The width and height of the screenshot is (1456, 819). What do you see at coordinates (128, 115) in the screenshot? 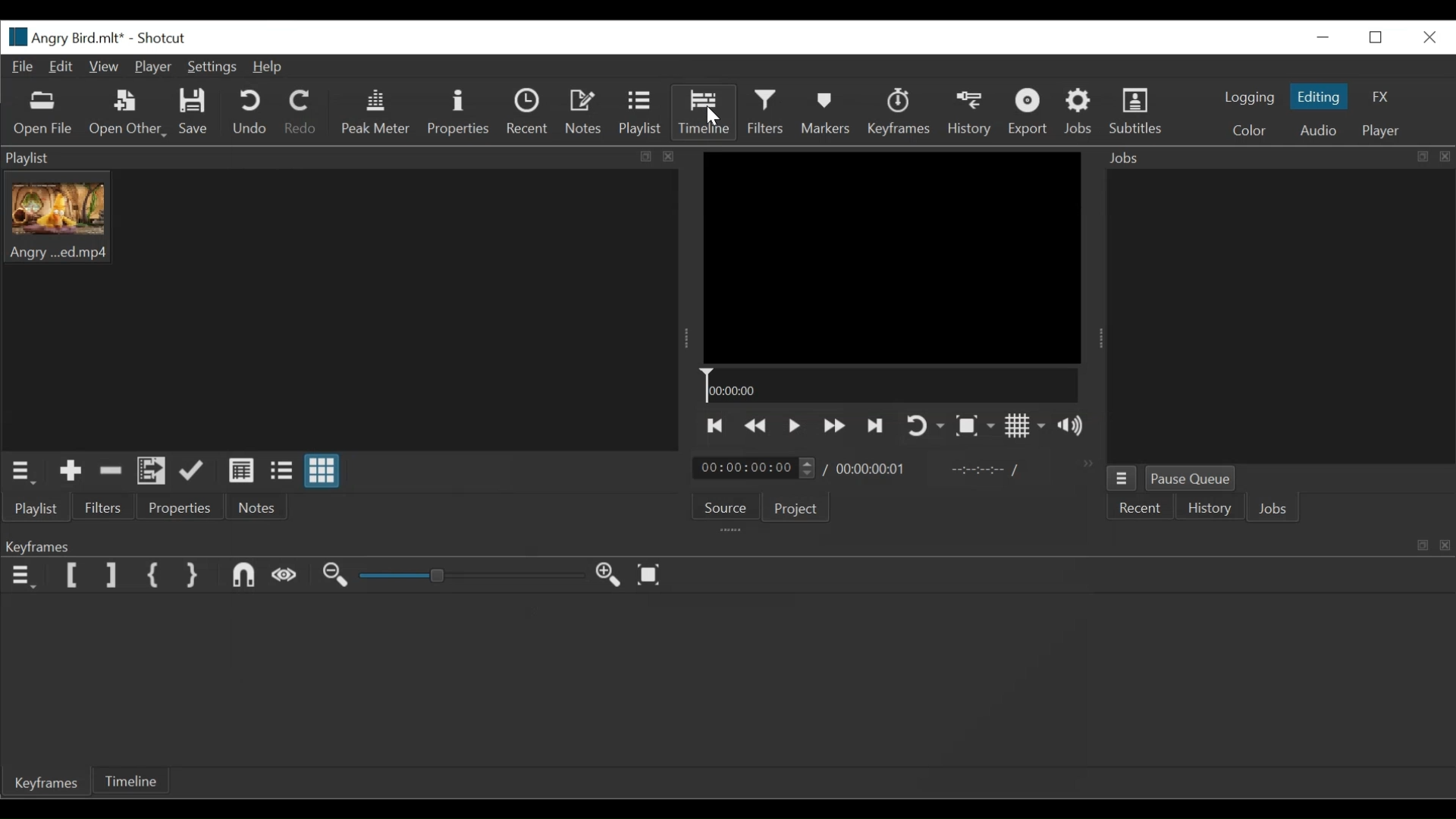
I see `Open Other` at bounding box center [128, 115].